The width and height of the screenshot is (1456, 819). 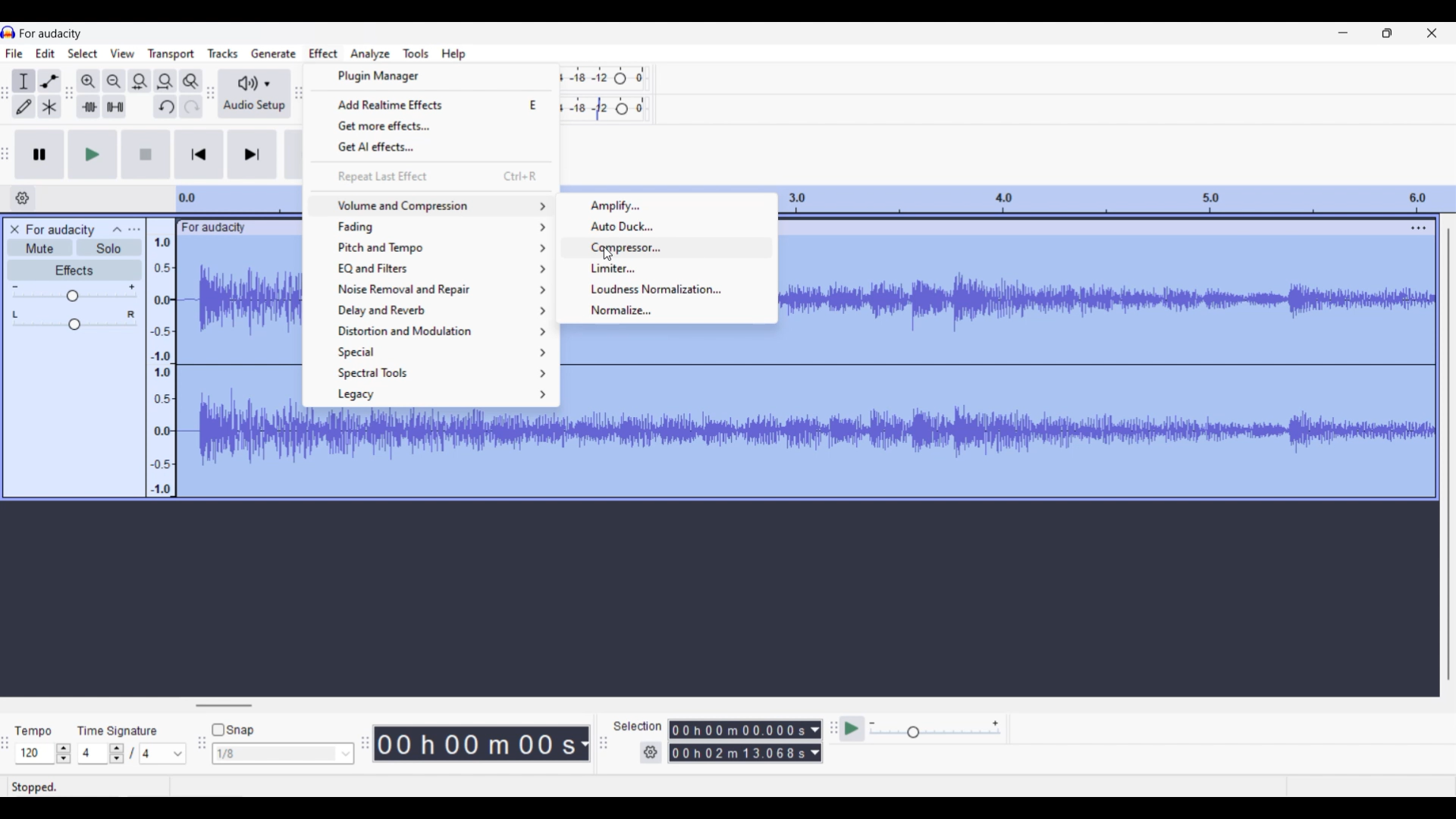 What do you see at coordinates (61, 230) in the screenshot?
I see `For audacity` at bounding box center [61, 230].